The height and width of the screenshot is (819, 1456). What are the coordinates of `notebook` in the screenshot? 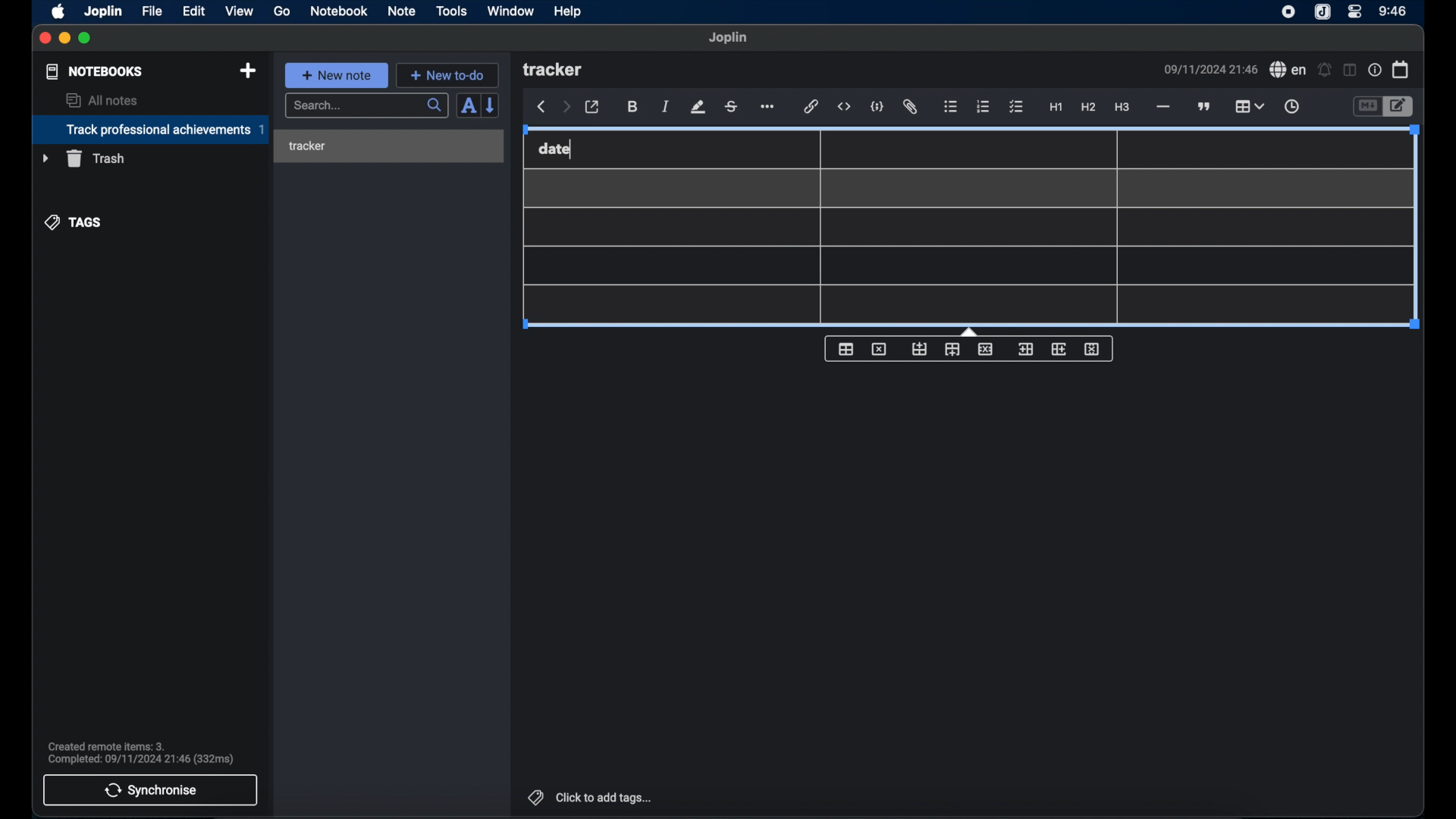 It's located at (339, 11).